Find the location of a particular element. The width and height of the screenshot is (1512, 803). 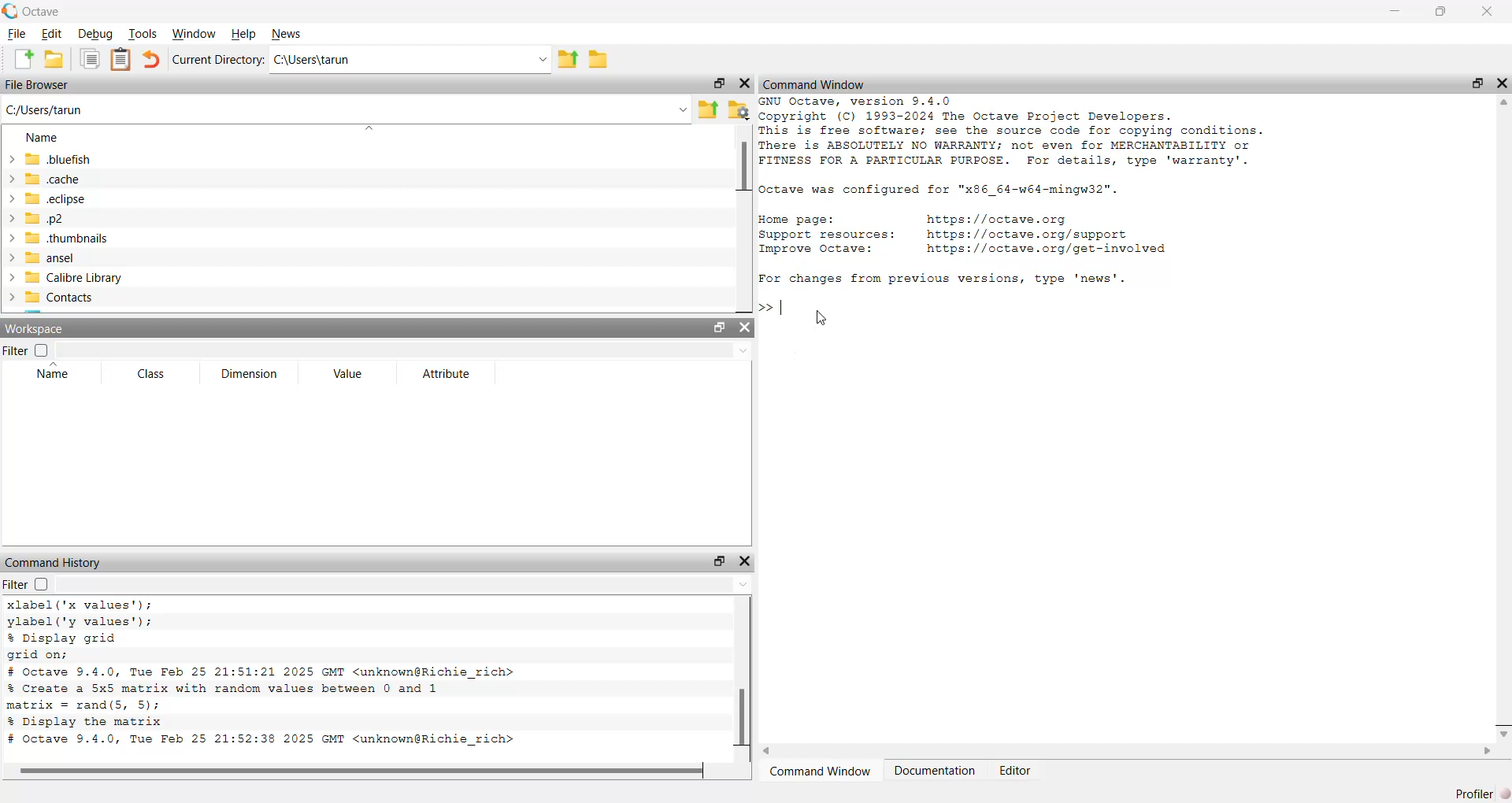

export is located at coordinates (569, 59).